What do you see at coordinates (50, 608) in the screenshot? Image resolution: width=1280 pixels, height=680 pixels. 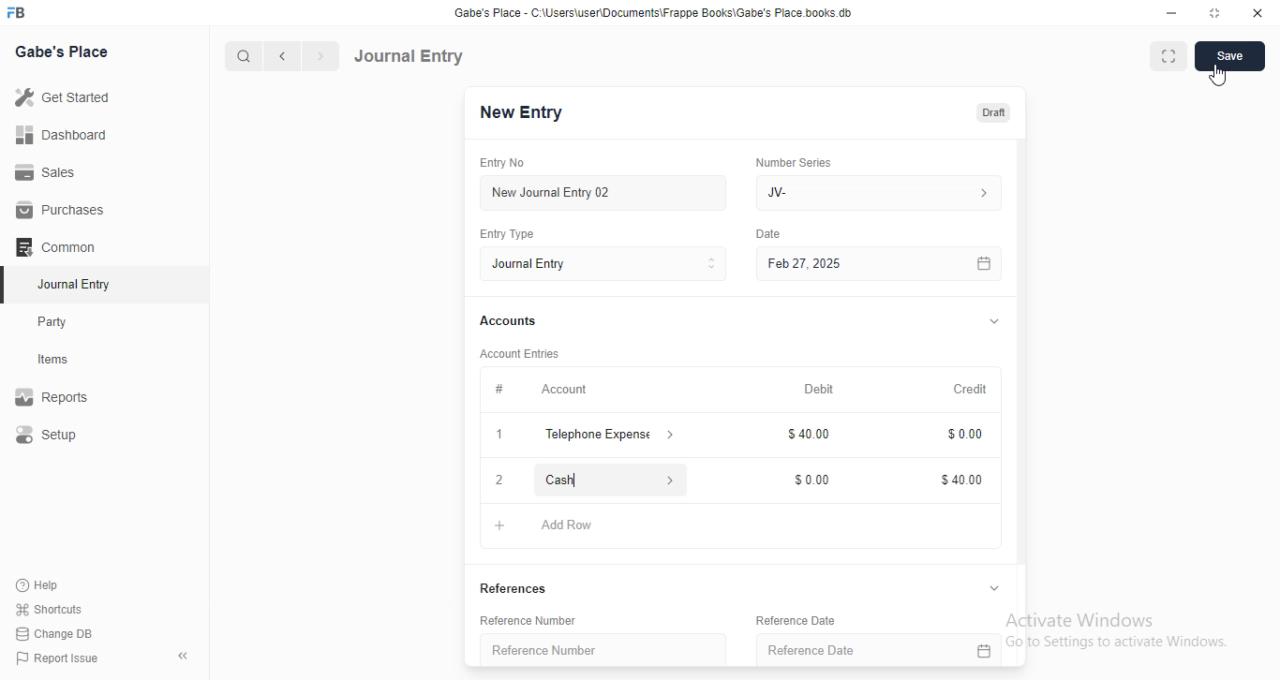 I see `' Shortcuts` at bounding box center [50, 608].